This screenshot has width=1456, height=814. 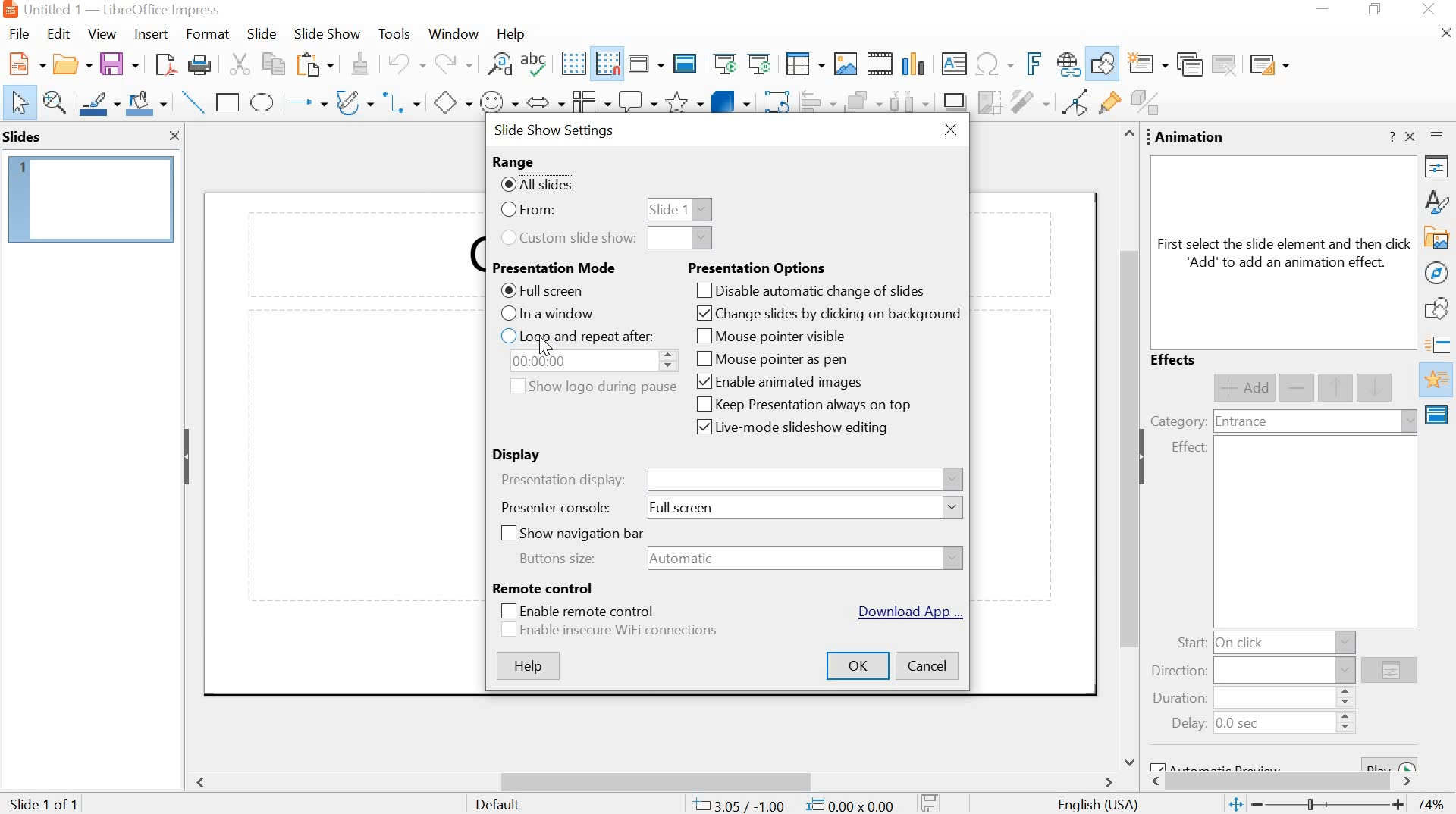 What do you see at coordinates (1031, 63) in the screenshot?
I see `insert fontwork text` at bounding box center [1031, 63].